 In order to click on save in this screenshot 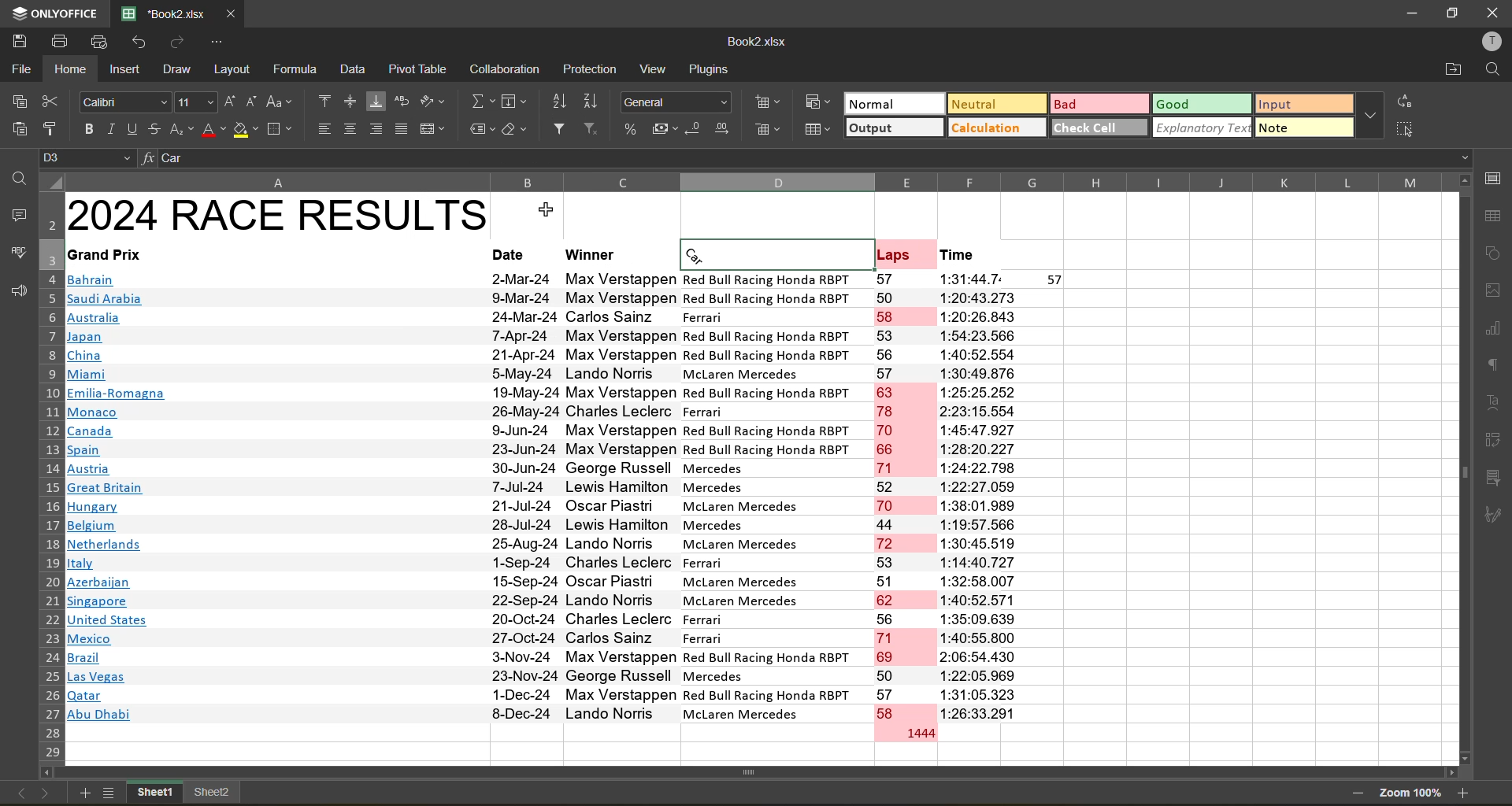, I will do `click(16, 40)`.